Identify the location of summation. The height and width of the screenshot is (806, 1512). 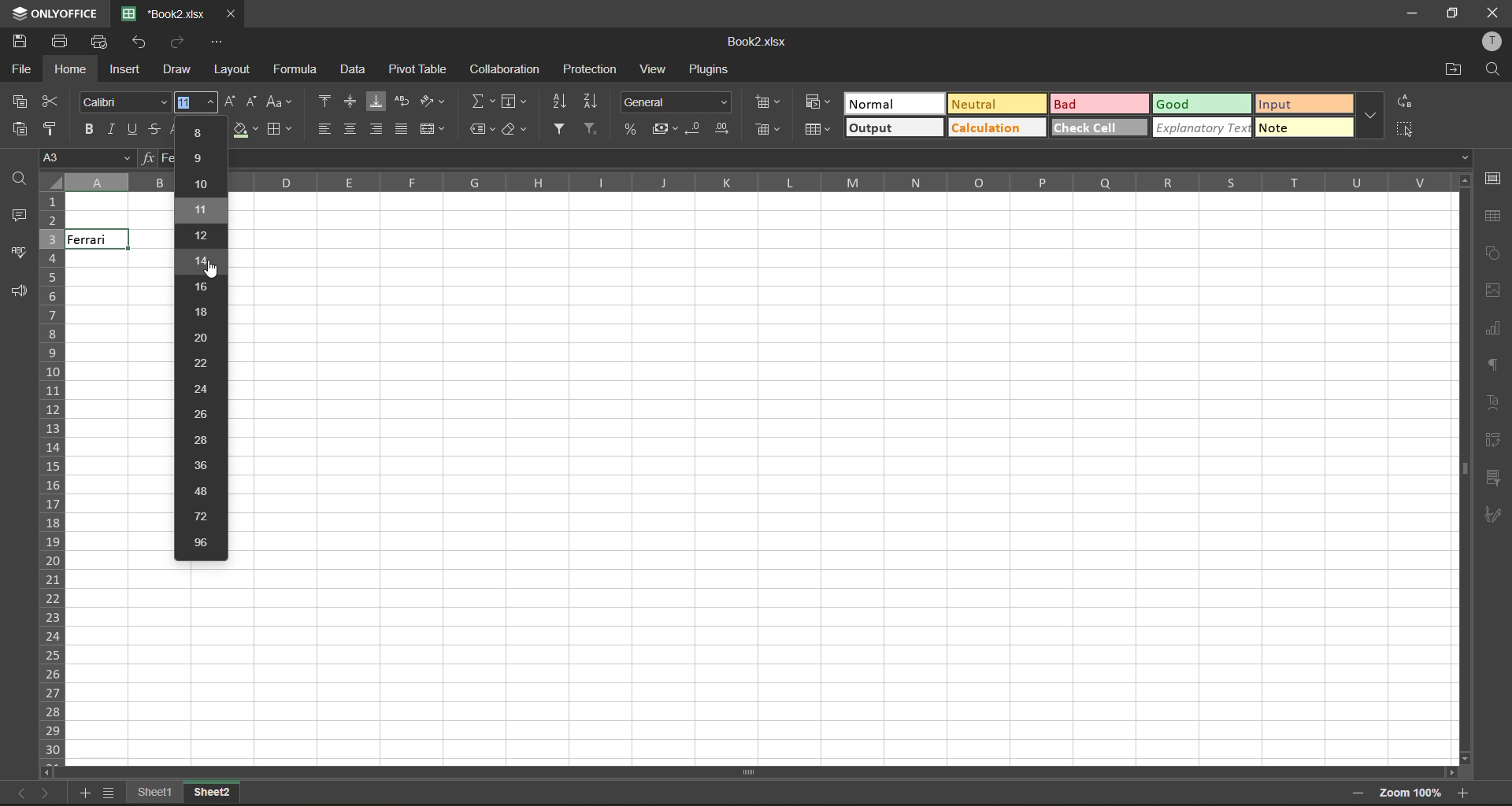
(482, 100).